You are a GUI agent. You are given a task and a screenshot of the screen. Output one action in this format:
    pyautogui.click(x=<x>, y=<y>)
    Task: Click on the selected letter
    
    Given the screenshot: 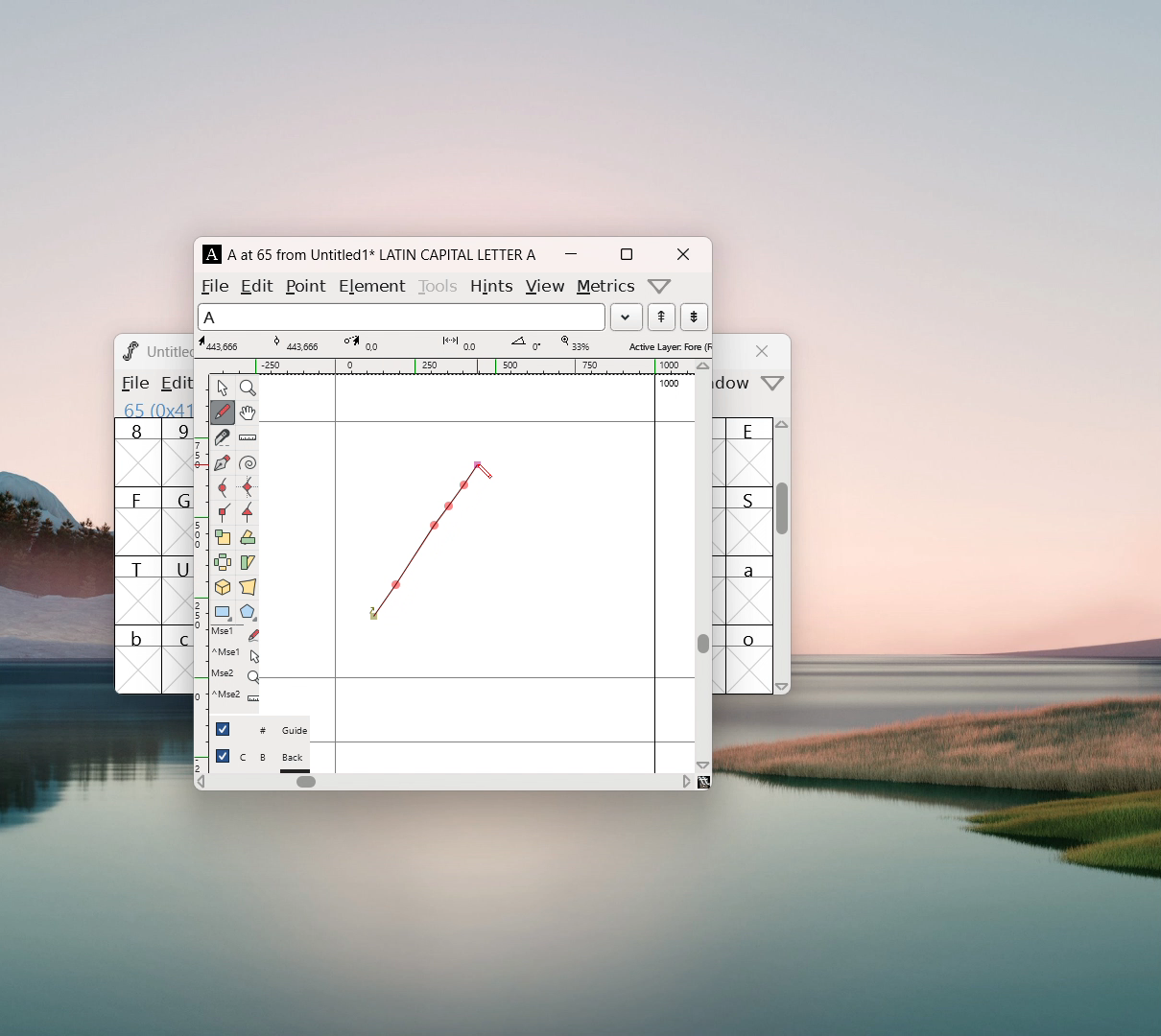 What is the action you would take?
    pyautogui.click(x=401, y=316)
    